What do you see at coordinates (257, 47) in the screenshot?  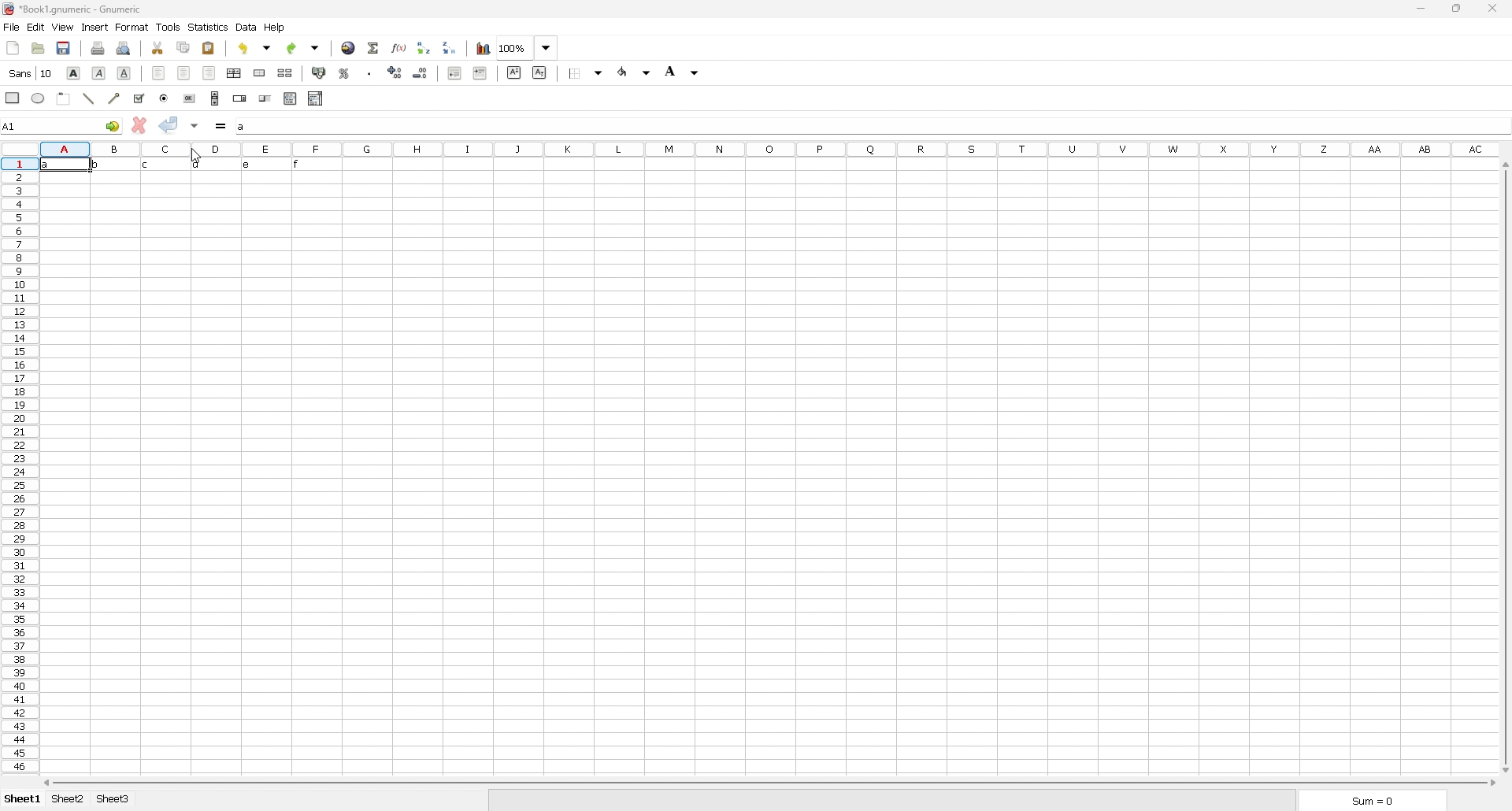 I see `undo` at bounding box center [257, 47].